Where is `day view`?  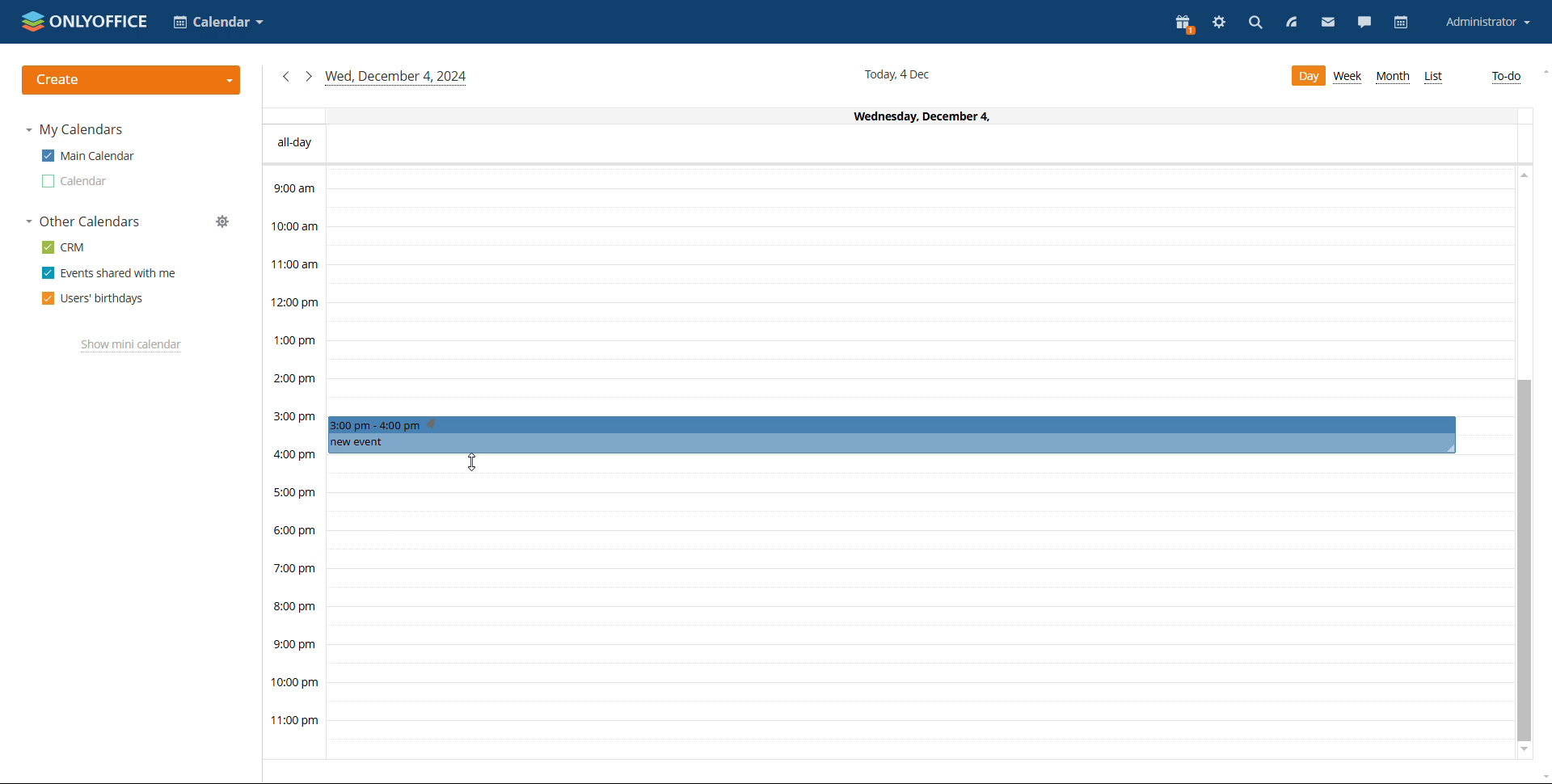
day view is located at coordinates (1307, 76).